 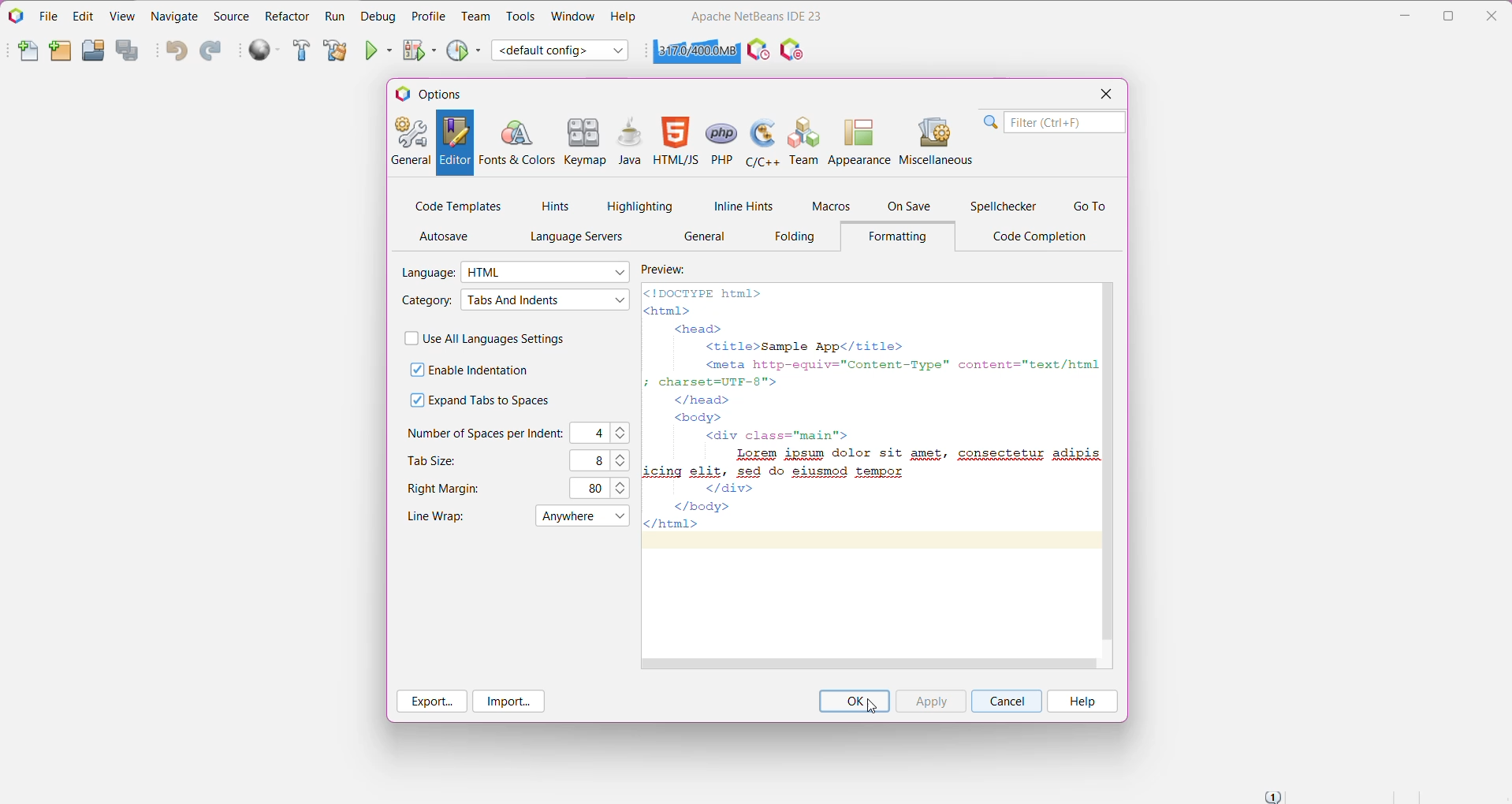 What do you see at coordinates (177, 15) in the screenshot?
I see `Navigate` at bounding box center [177, 15].